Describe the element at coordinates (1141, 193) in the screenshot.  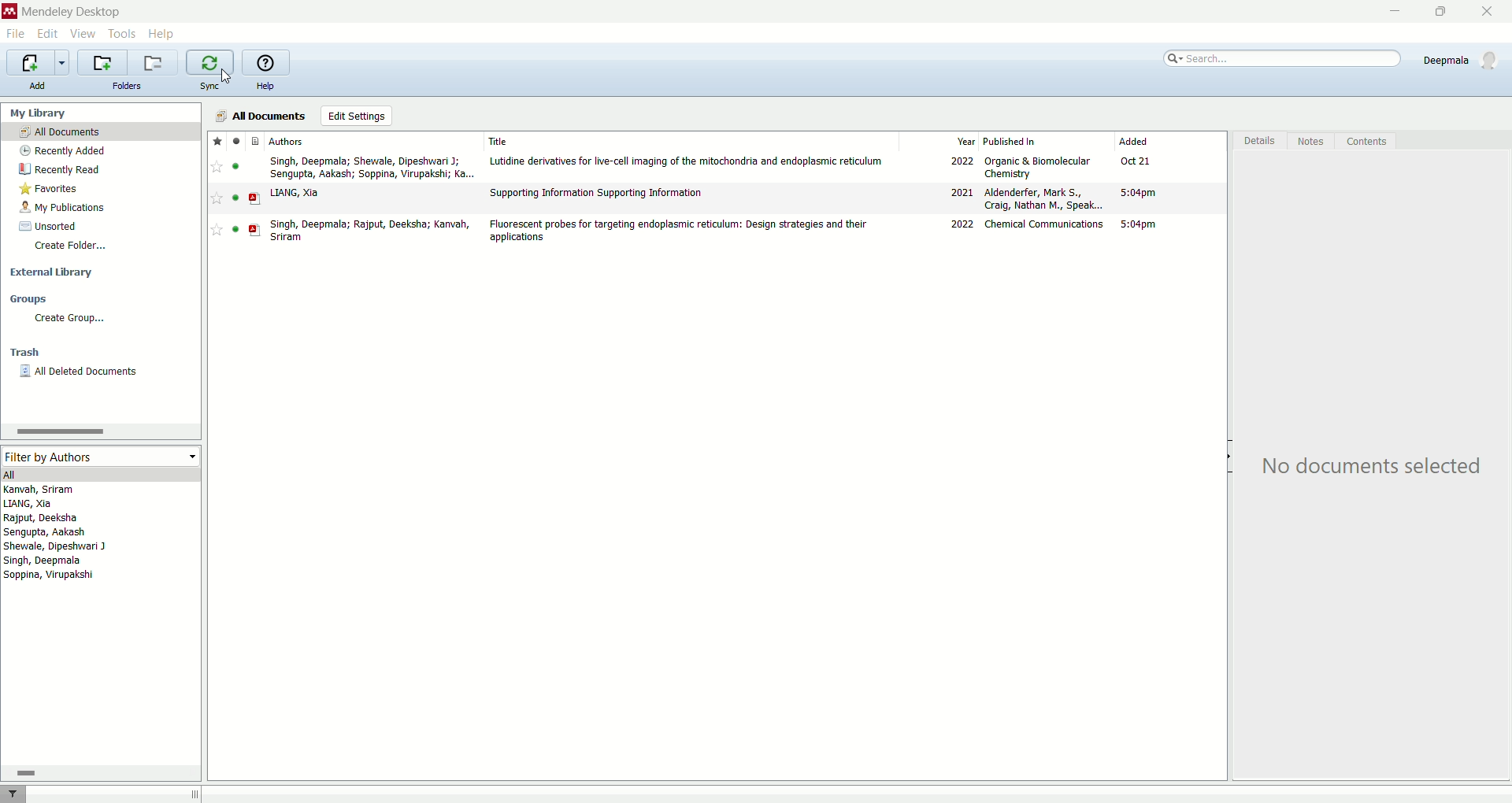
I see `5:04pm` at that location.